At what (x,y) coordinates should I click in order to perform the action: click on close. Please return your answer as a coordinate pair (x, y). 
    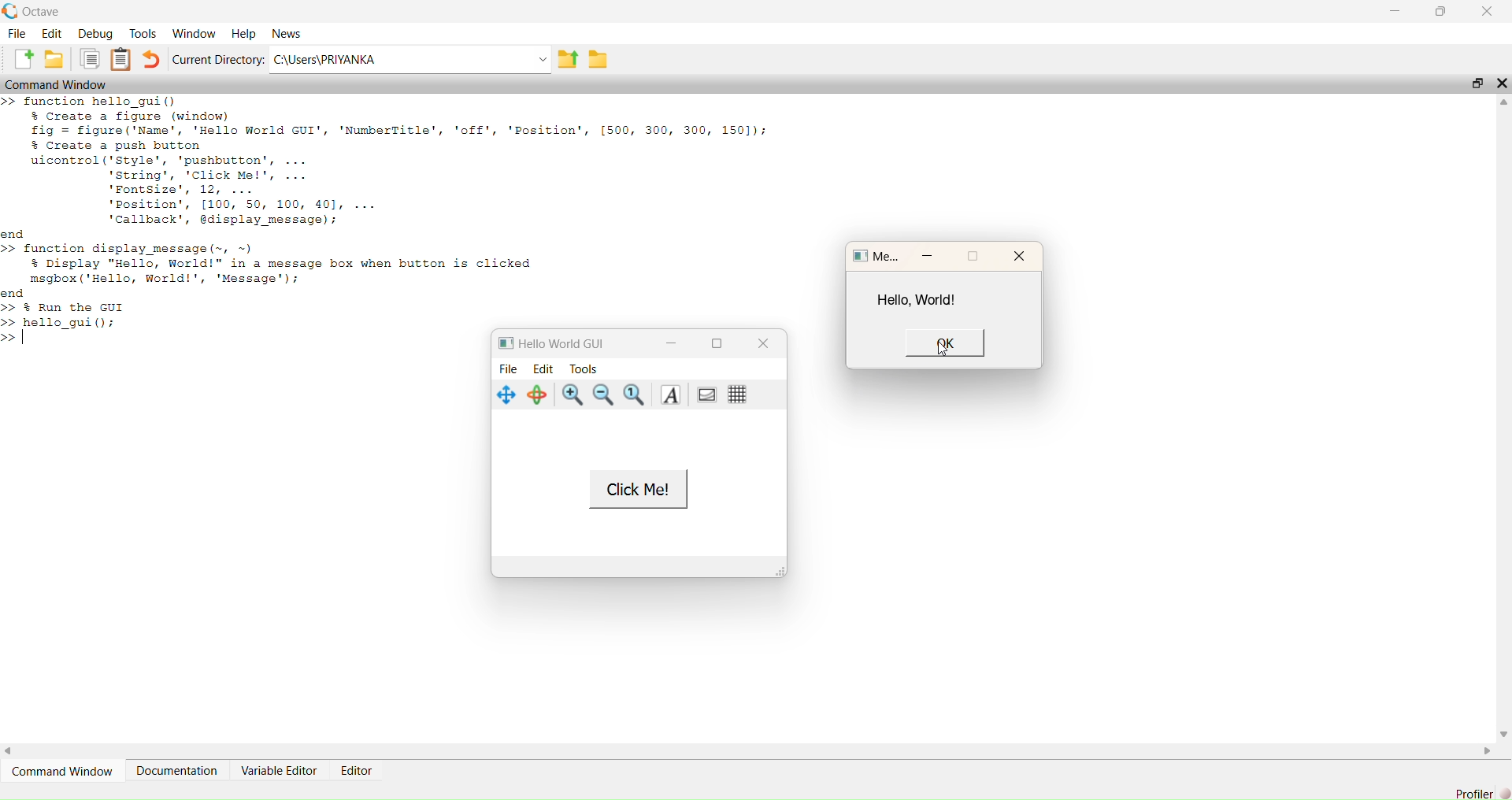
    Looking at the image, I should click on (1018, 257).